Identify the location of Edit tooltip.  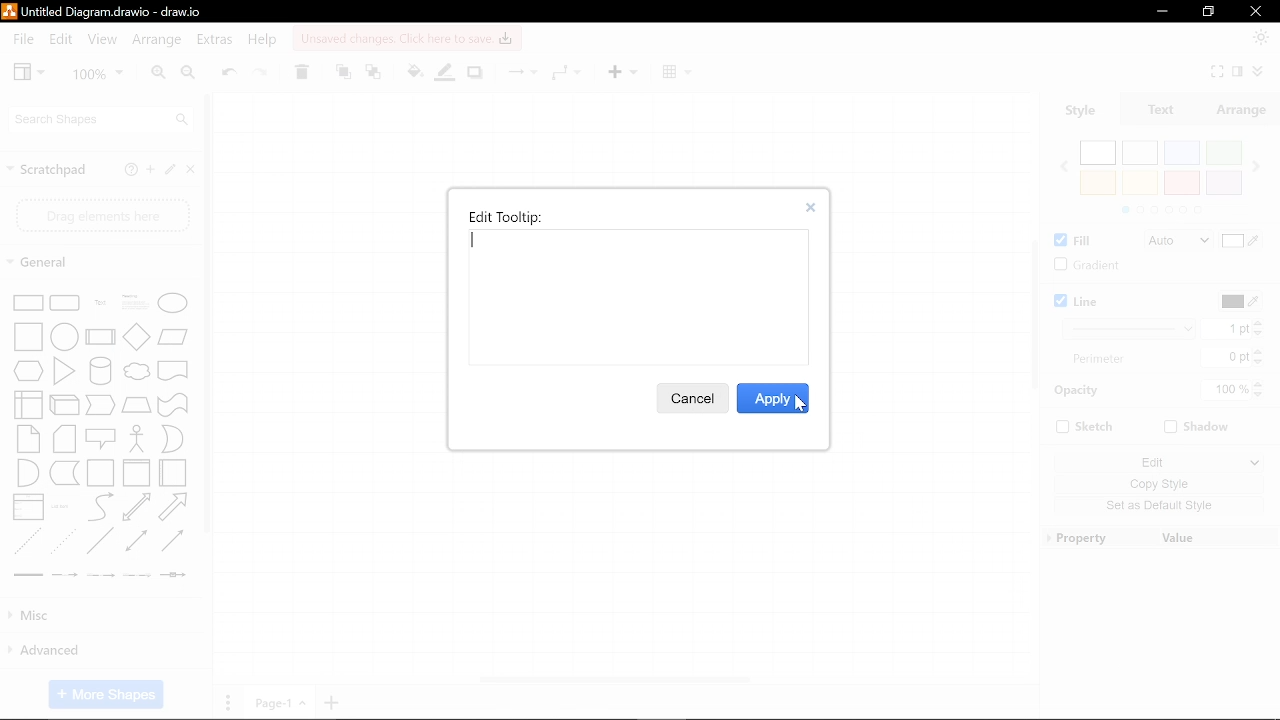
(505, 215).